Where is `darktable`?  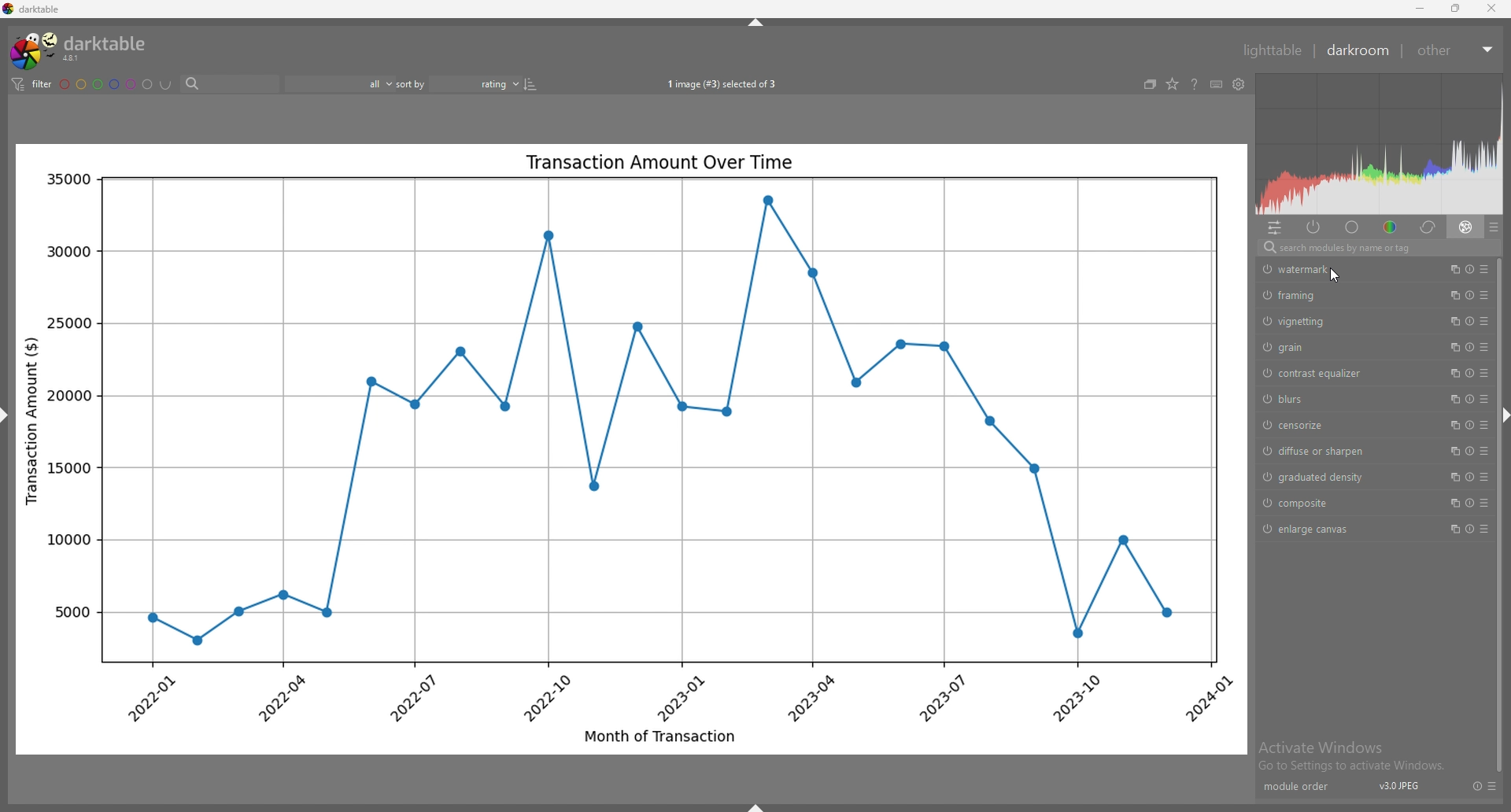 darktable is located at coordinates (34, 9).